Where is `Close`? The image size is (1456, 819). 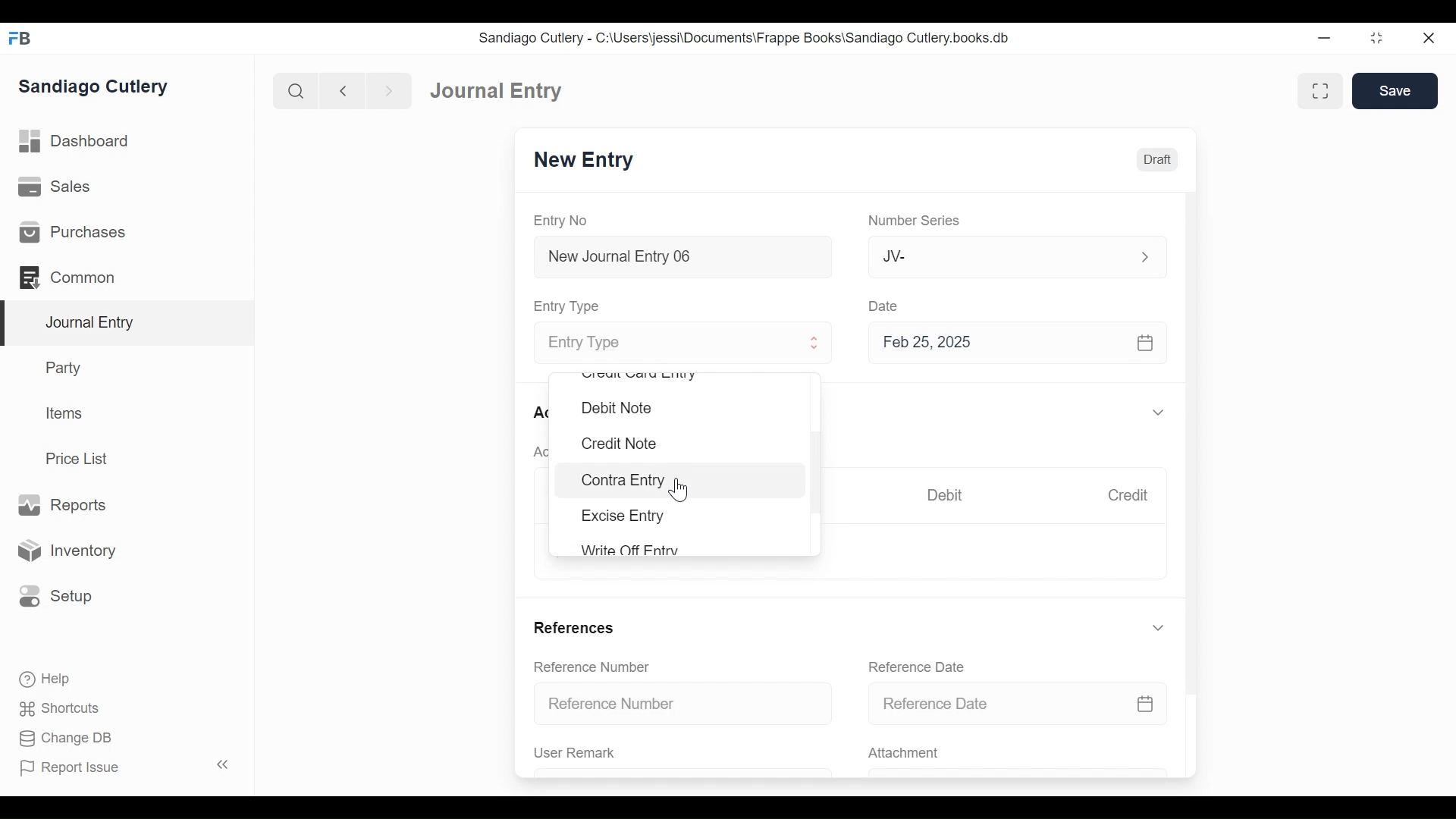
Close is located at coordinates (1431, 37).